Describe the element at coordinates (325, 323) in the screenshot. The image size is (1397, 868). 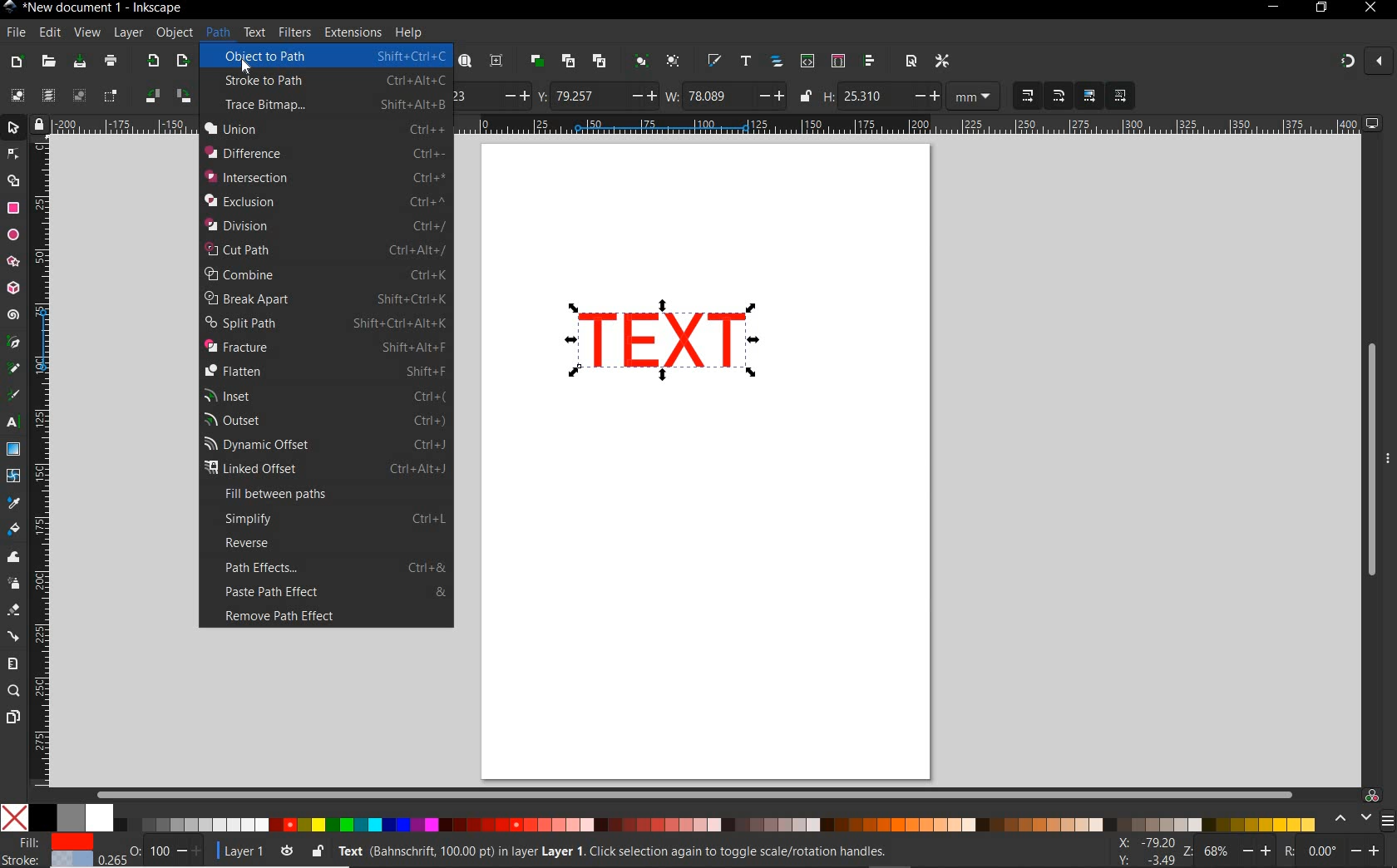
I see `SPLIT PATH` at that location.